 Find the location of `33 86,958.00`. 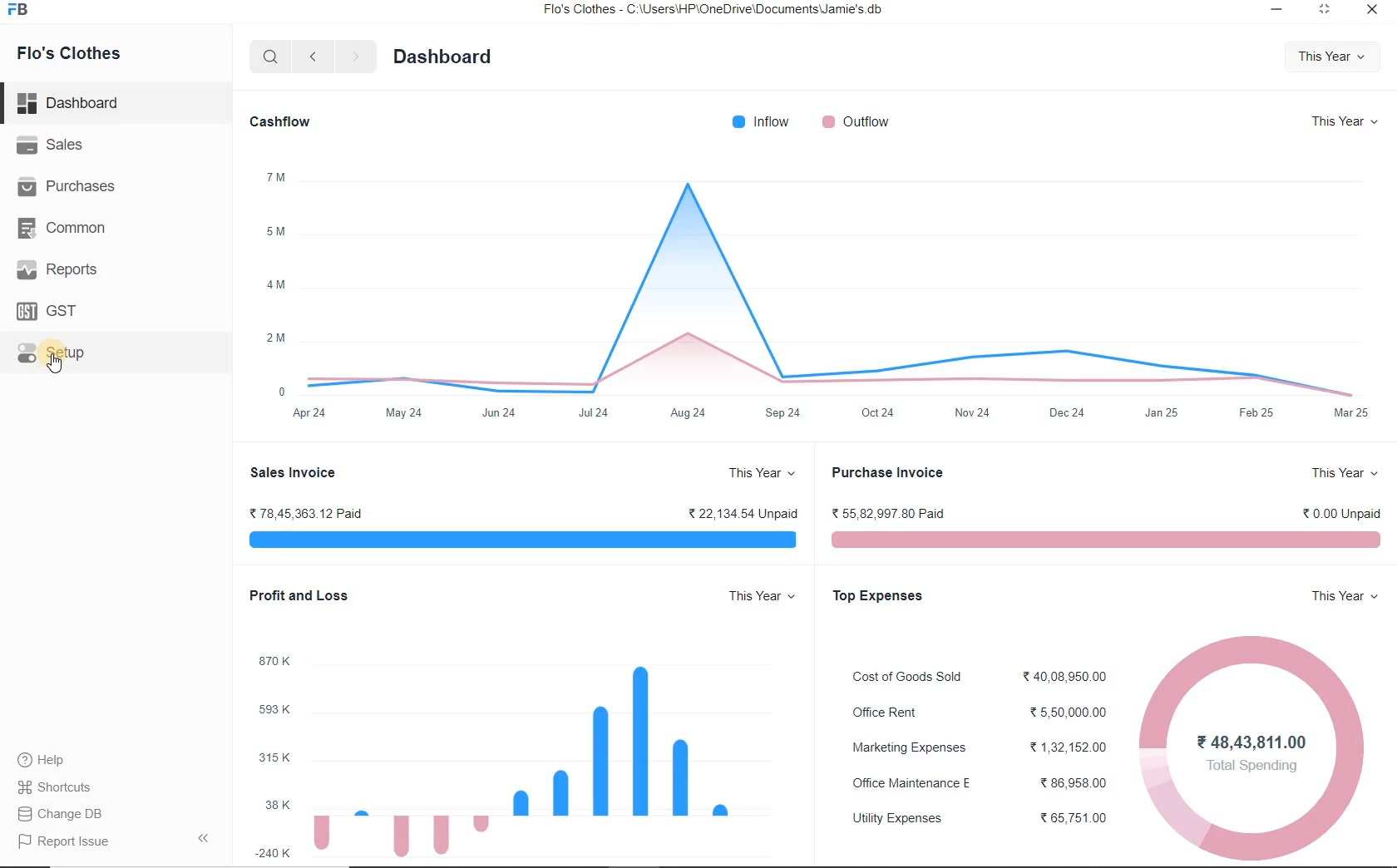

33 86,958.00 is located at coordinates (1074, 784).